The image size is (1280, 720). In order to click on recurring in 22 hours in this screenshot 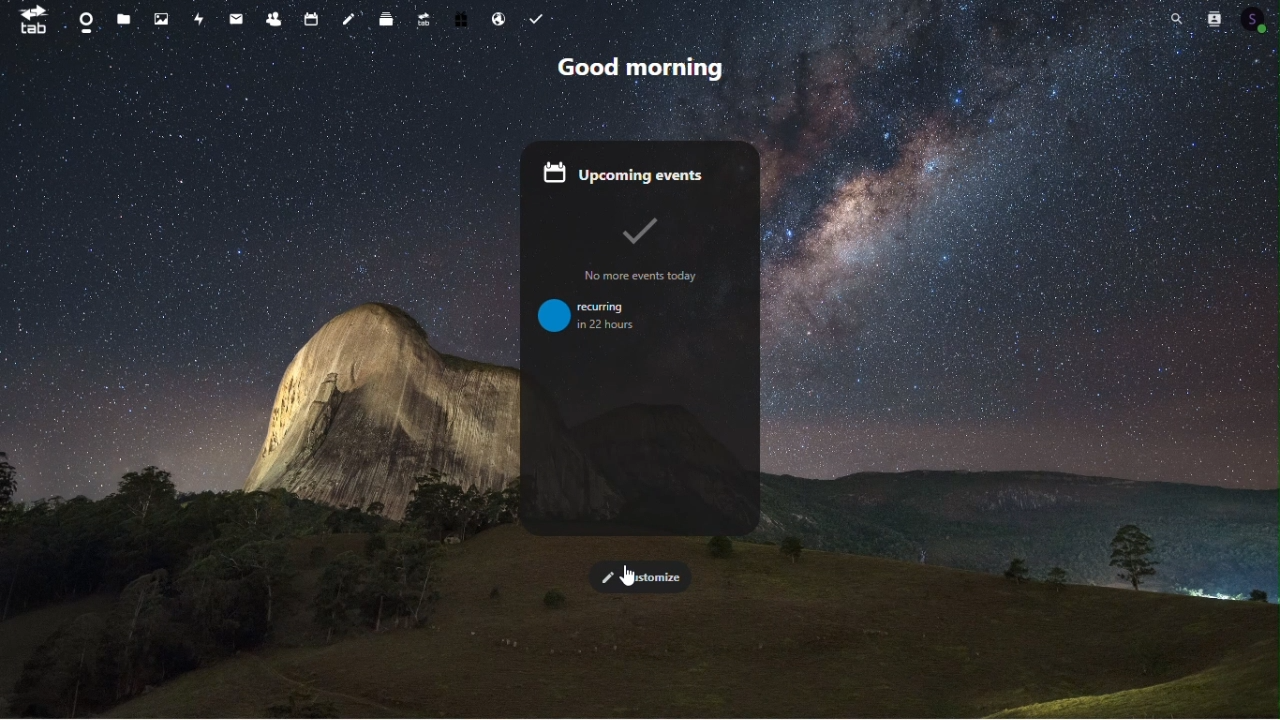, I will do `click(599, 319)`.